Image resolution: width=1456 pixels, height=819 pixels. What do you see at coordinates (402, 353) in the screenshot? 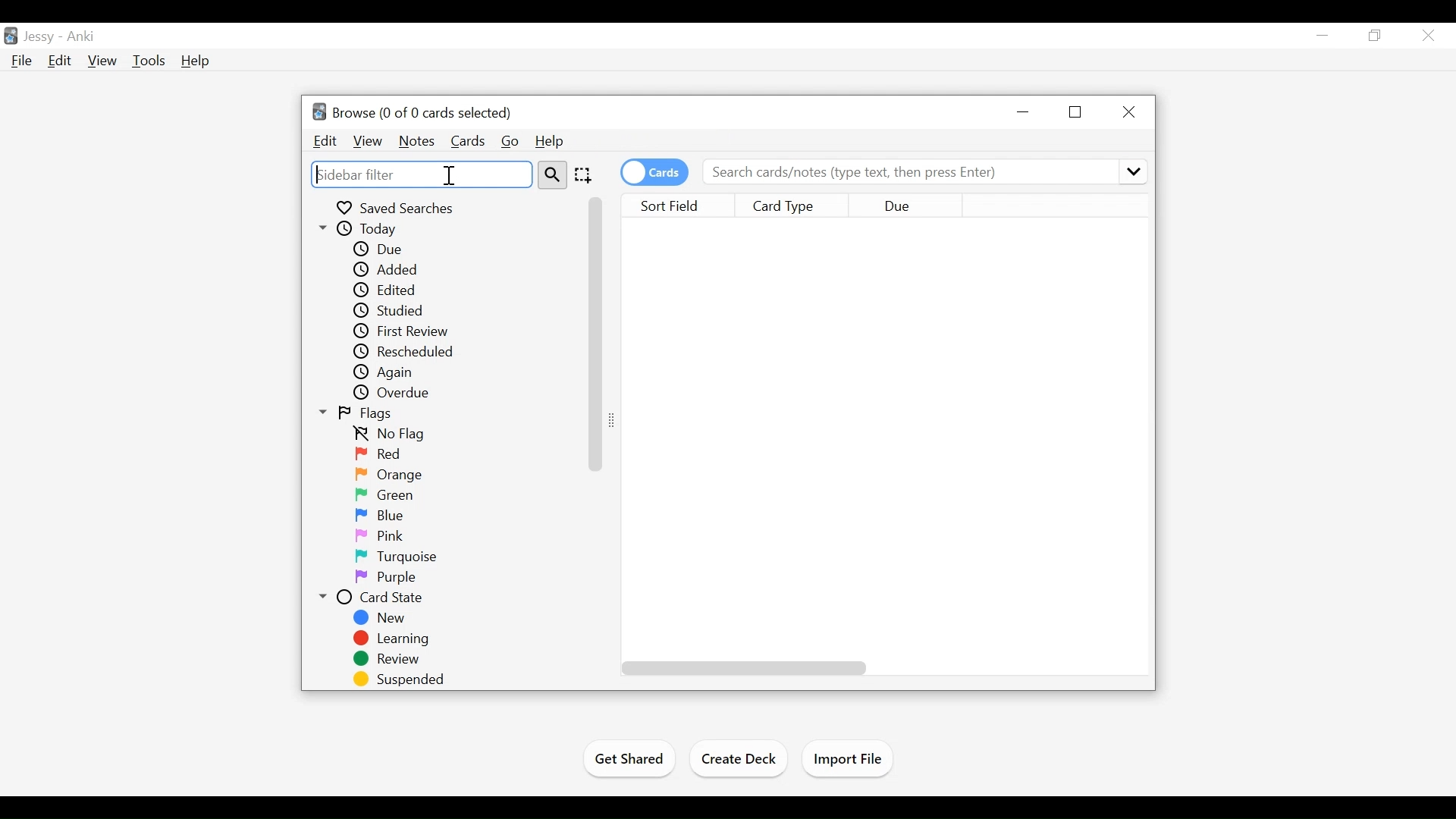
I see `Rescheduled` at bounding box center [402, 353].